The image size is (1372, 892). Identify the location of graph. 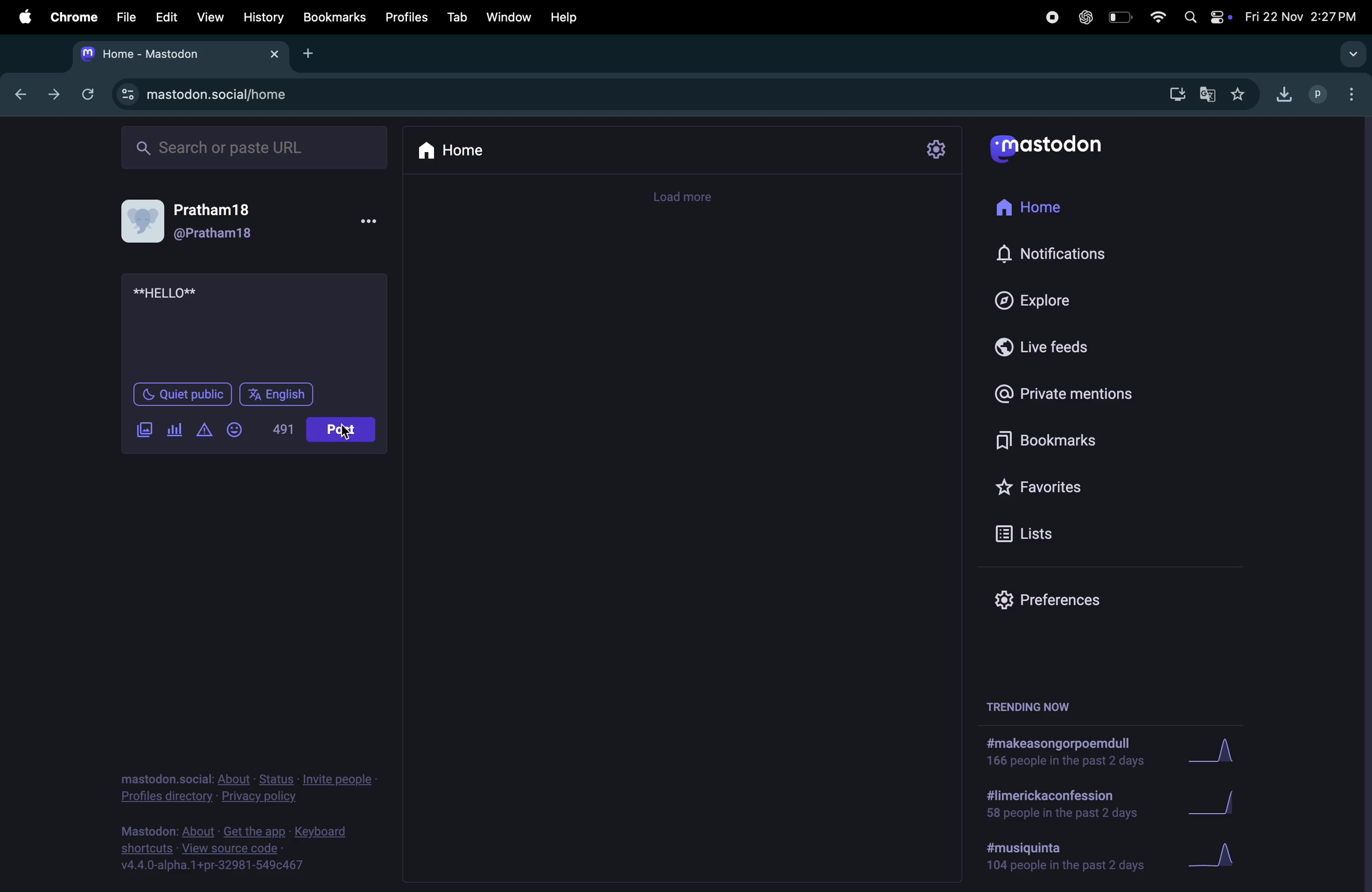
(1226, 800).